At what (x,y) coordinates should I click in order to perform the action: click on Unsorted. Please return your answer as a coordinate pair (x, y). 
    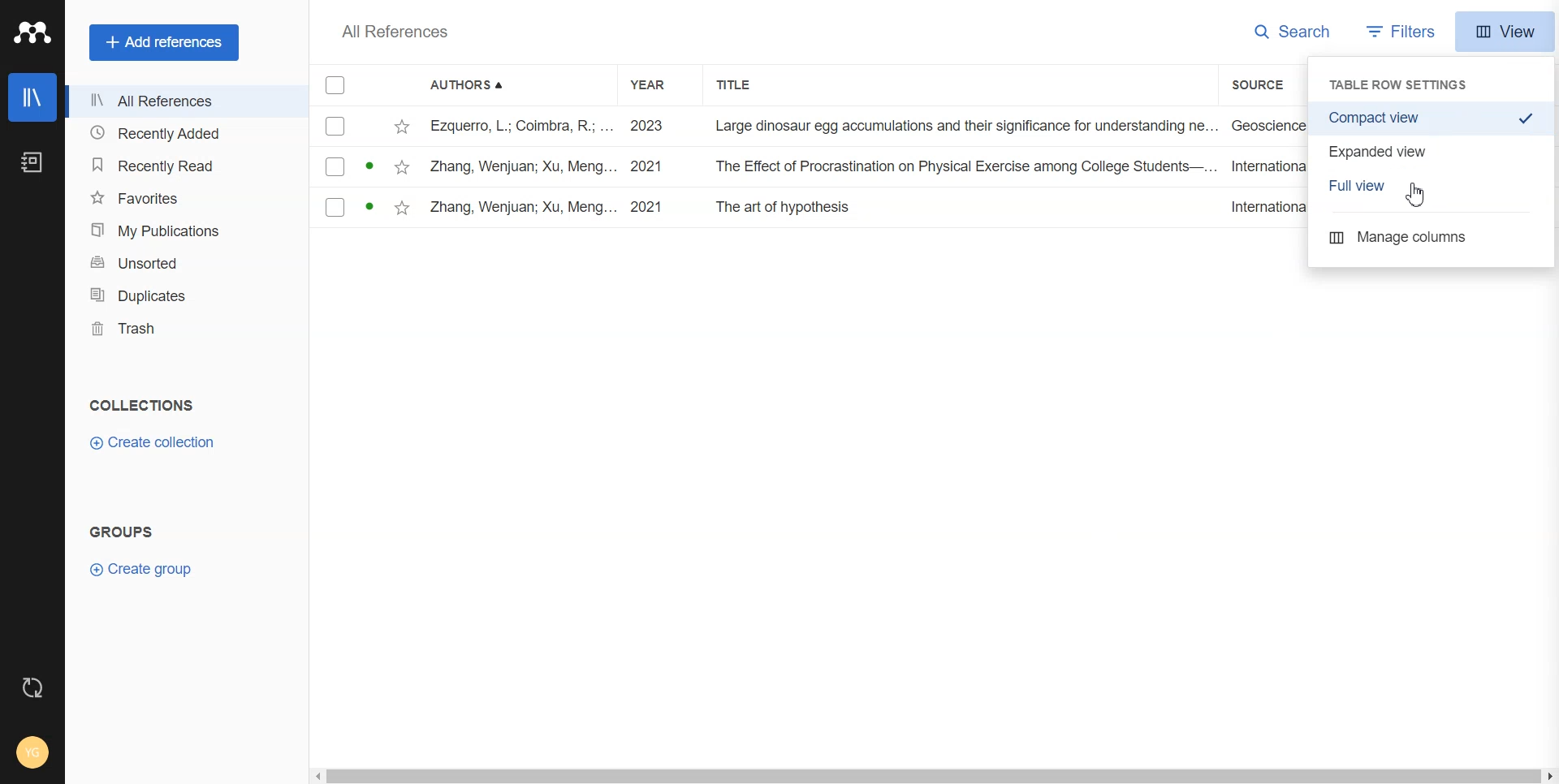
    Looking at the image, I should click on (175, 262).